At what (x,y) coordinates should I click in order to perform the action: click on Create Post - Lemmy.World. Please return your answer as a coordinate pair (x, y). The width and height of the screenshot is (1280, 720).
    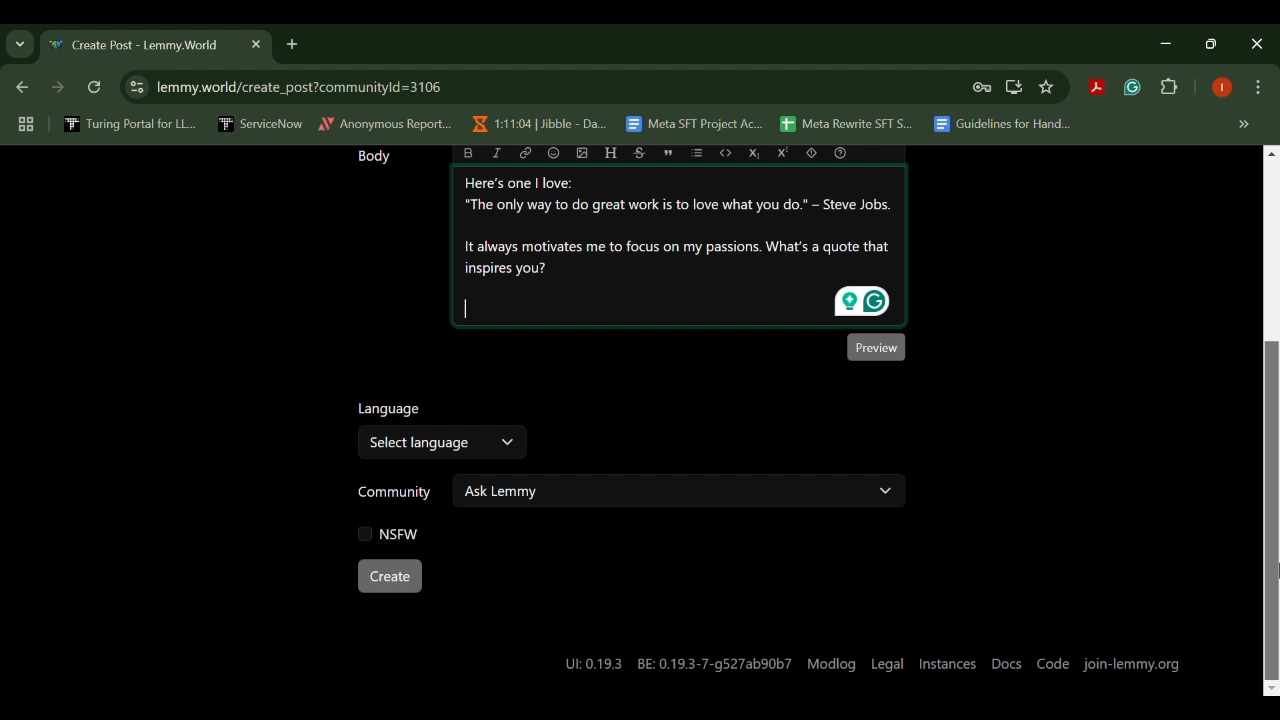
    Looking at the image, I should click on (138, 46).